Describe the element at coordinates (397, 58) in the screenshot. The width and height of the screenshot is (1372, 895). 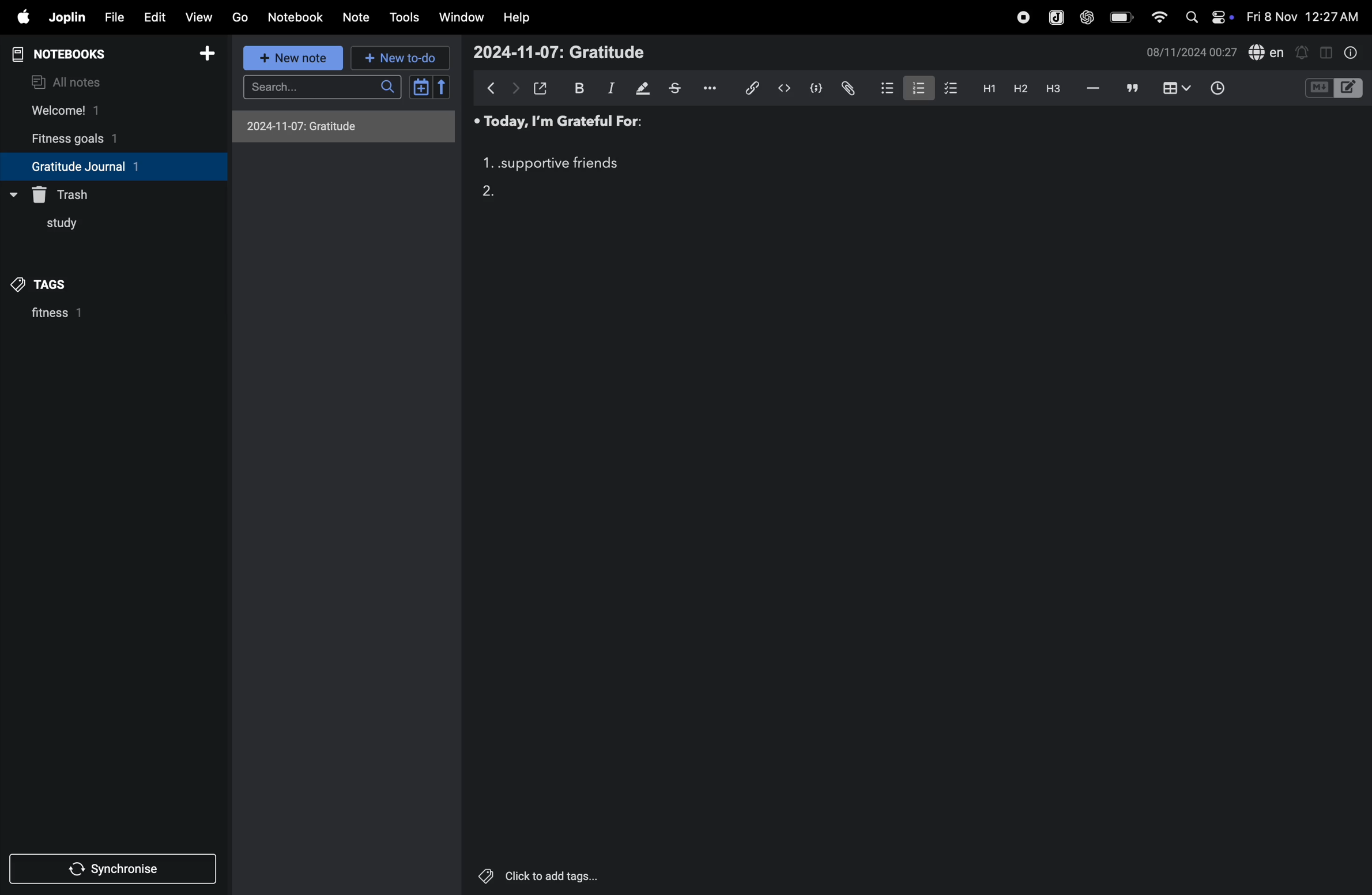
I see `new to do` at that location.